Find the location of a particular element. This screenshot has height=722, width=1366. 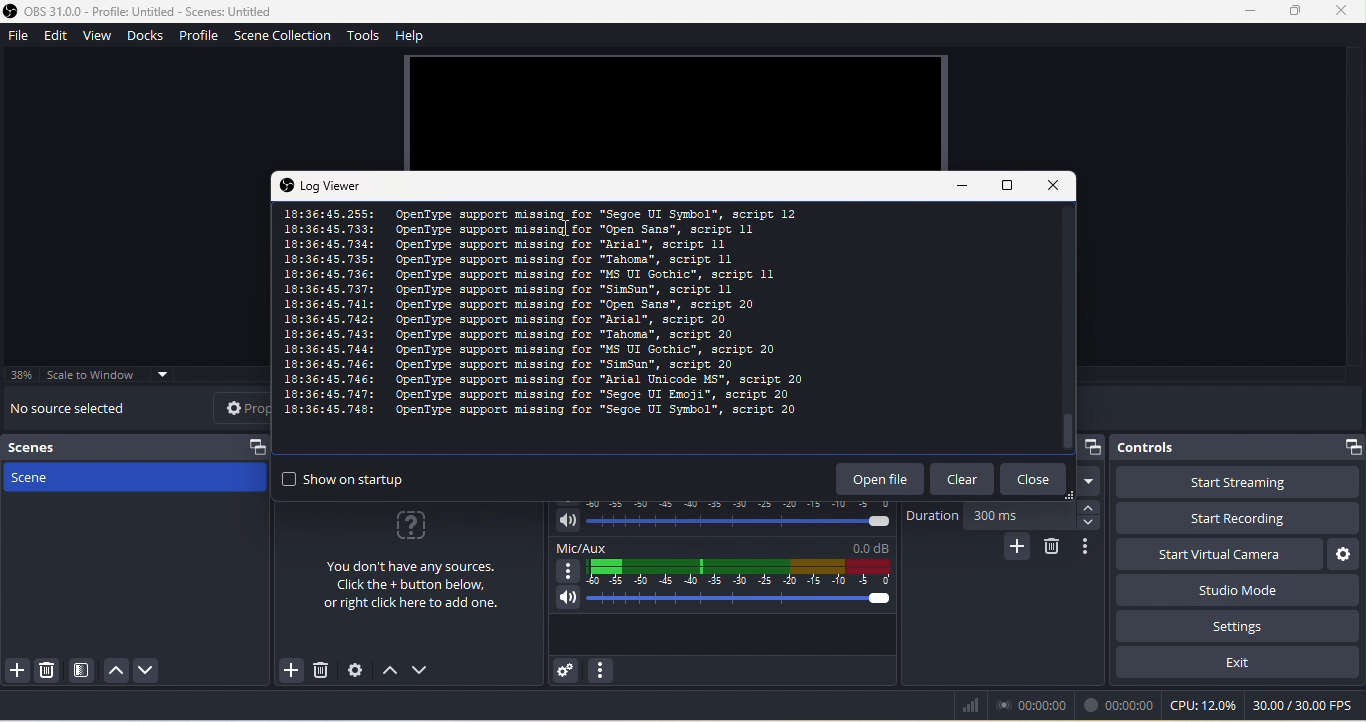

show on startup is located at coordinates (351, 481).